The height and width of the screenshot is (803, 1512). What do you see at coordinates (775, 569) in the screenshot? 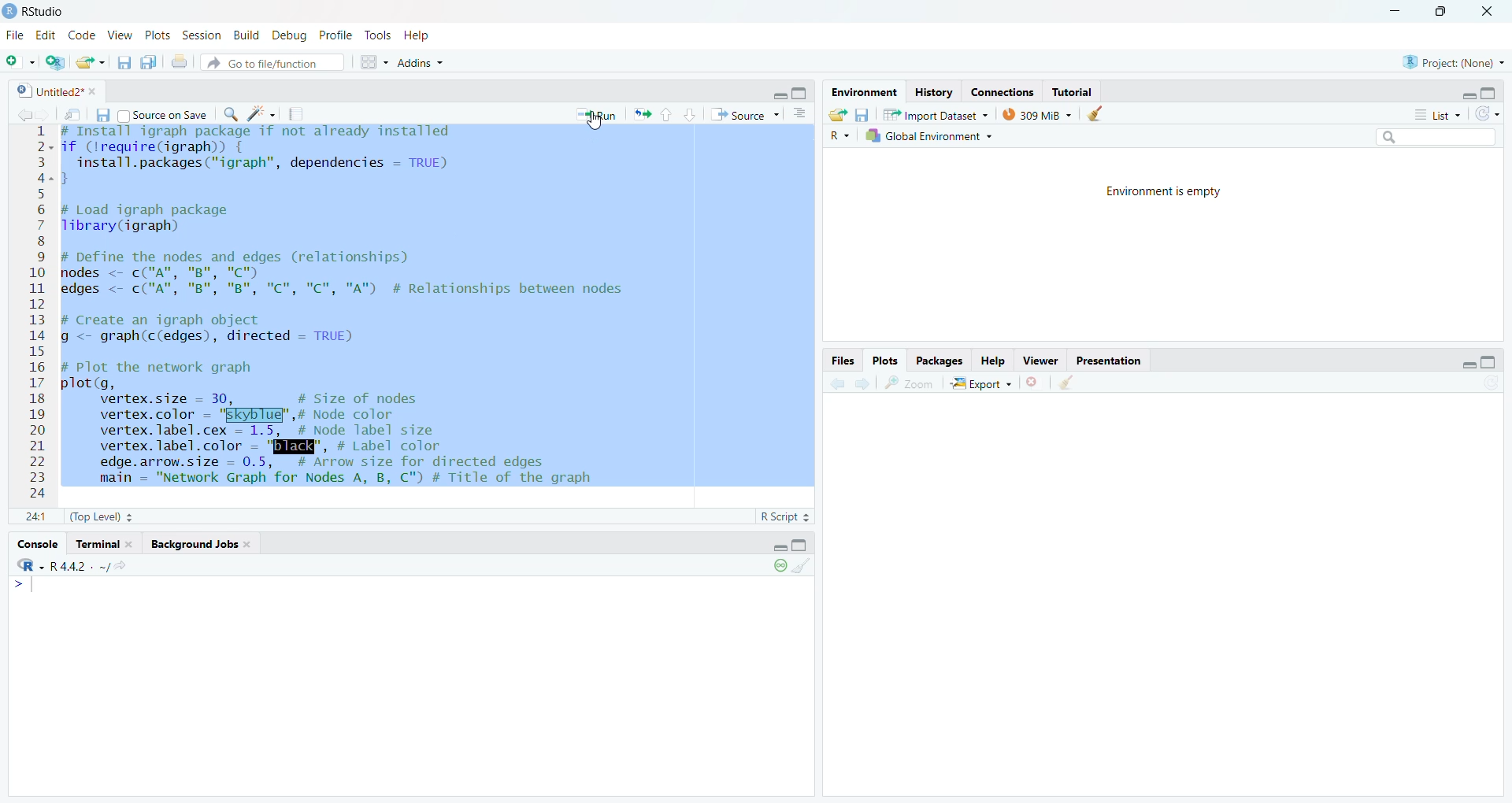
I see `loop` at bounding box center [775, 569].